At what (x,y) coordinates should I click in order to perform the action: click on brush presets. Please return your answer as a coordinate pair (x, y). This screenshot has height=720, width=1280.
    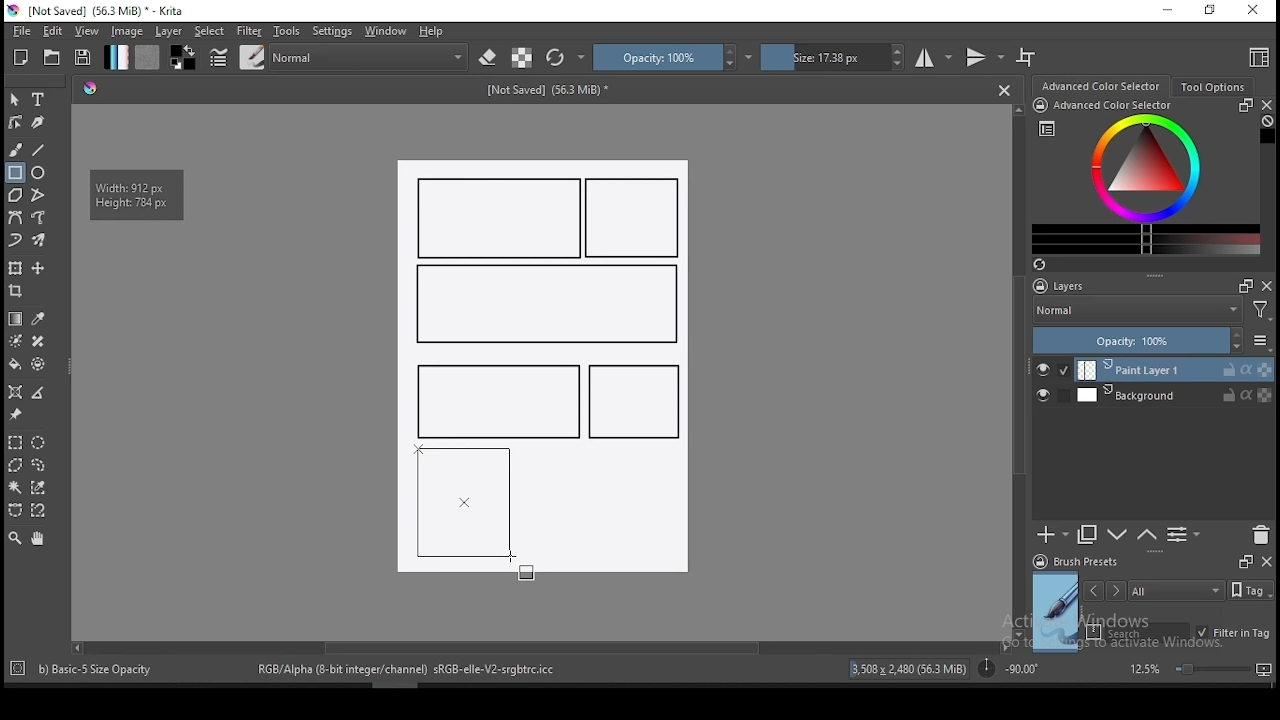
    Looking at the image, I should click on (1082, 562).